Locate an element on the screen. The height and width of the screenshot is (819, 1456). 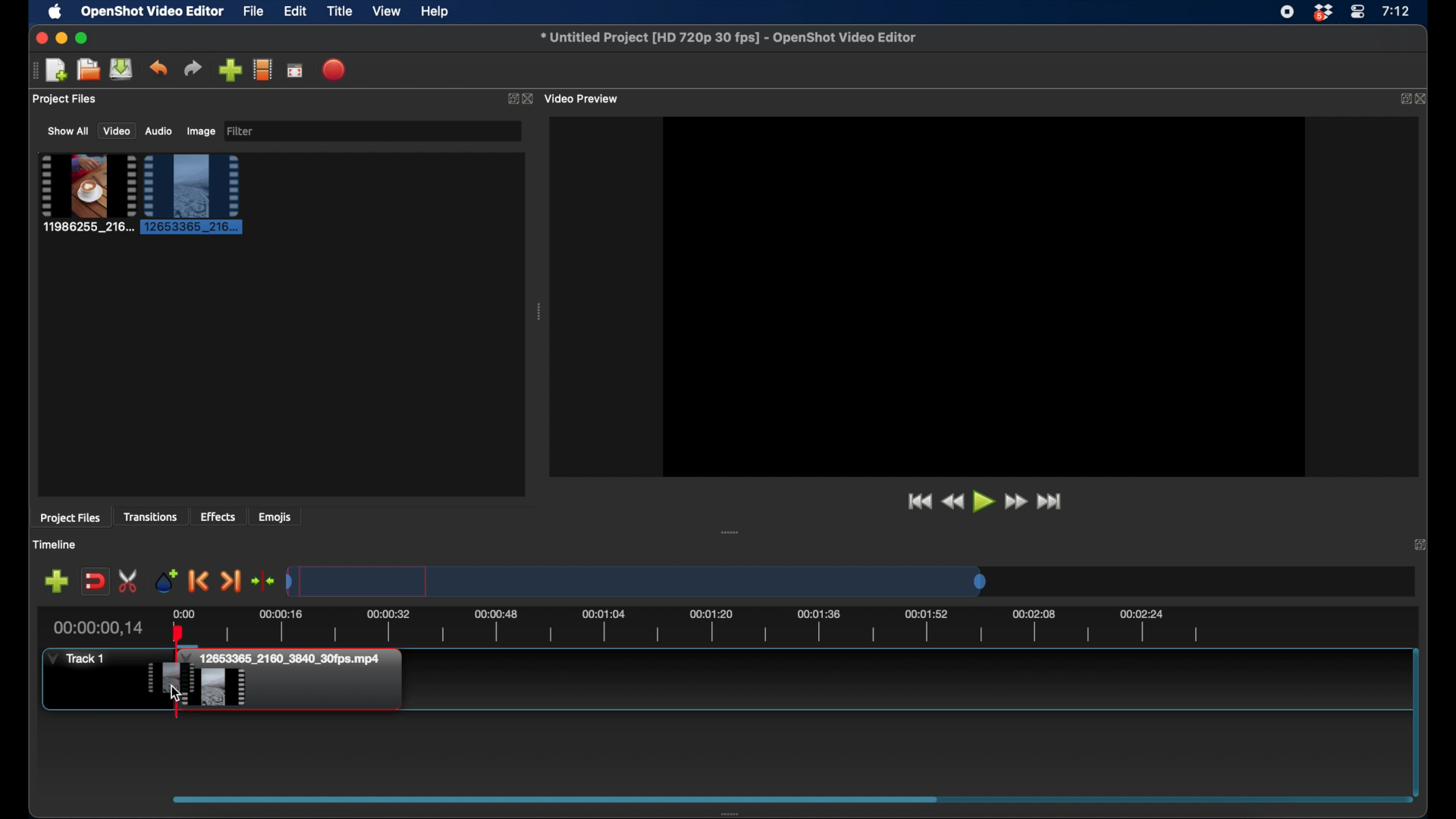
close is located at coordinates (40, 38).